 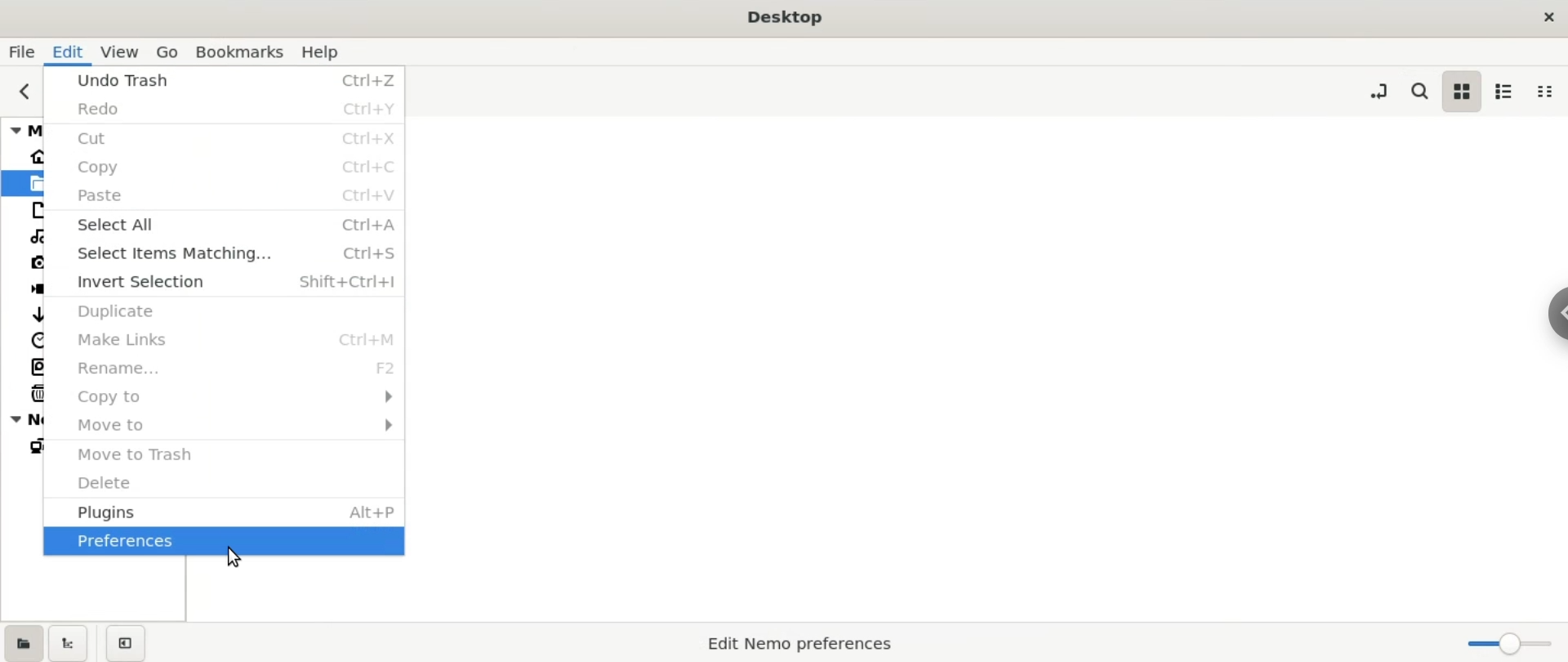 I want to click on delete, so click(x=223, y=484).